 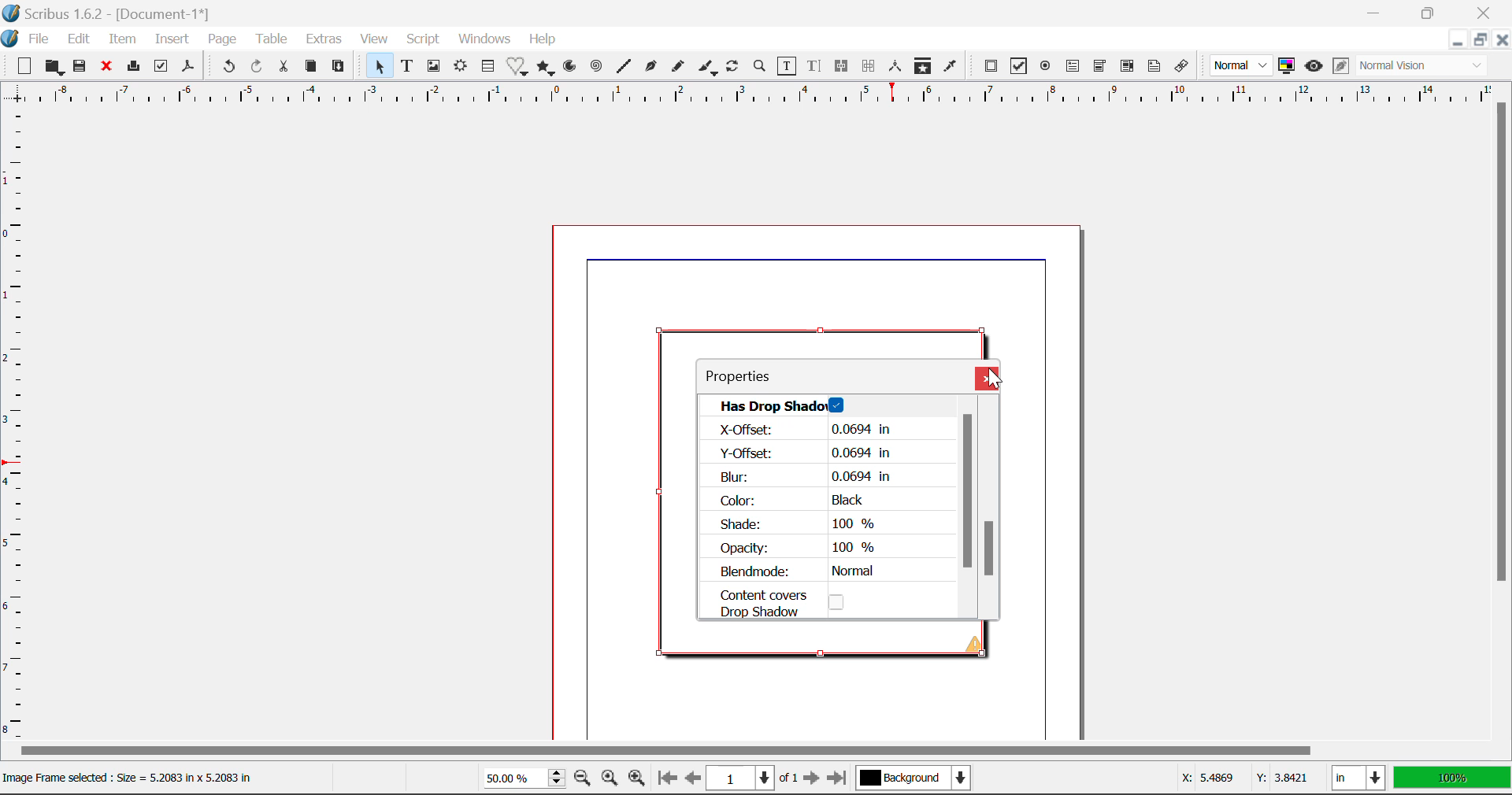 What do you see at coordinates (1019, 66) in the screenshot?
I see `Pdf Checkbox` at bounding box center [1019, 66].